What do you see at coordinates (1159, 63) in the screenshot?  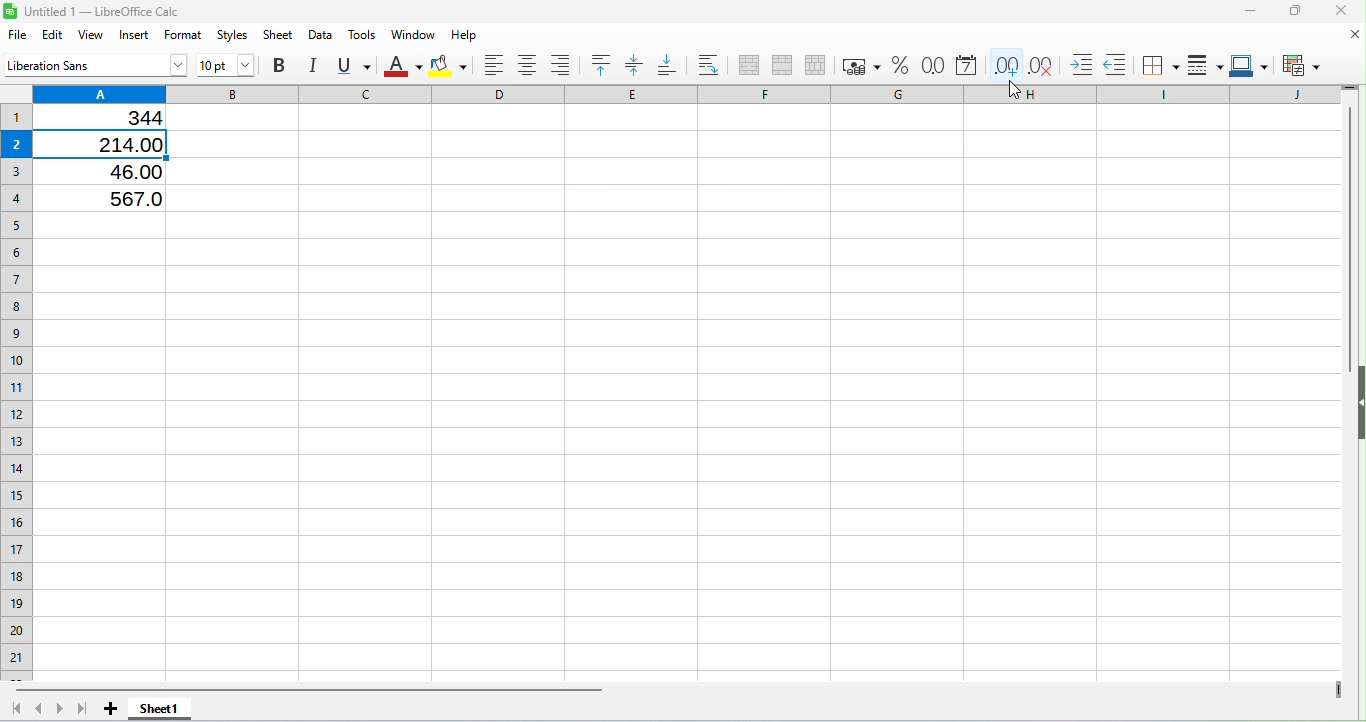 I see `Borders` at bounding box center [1159, 63].